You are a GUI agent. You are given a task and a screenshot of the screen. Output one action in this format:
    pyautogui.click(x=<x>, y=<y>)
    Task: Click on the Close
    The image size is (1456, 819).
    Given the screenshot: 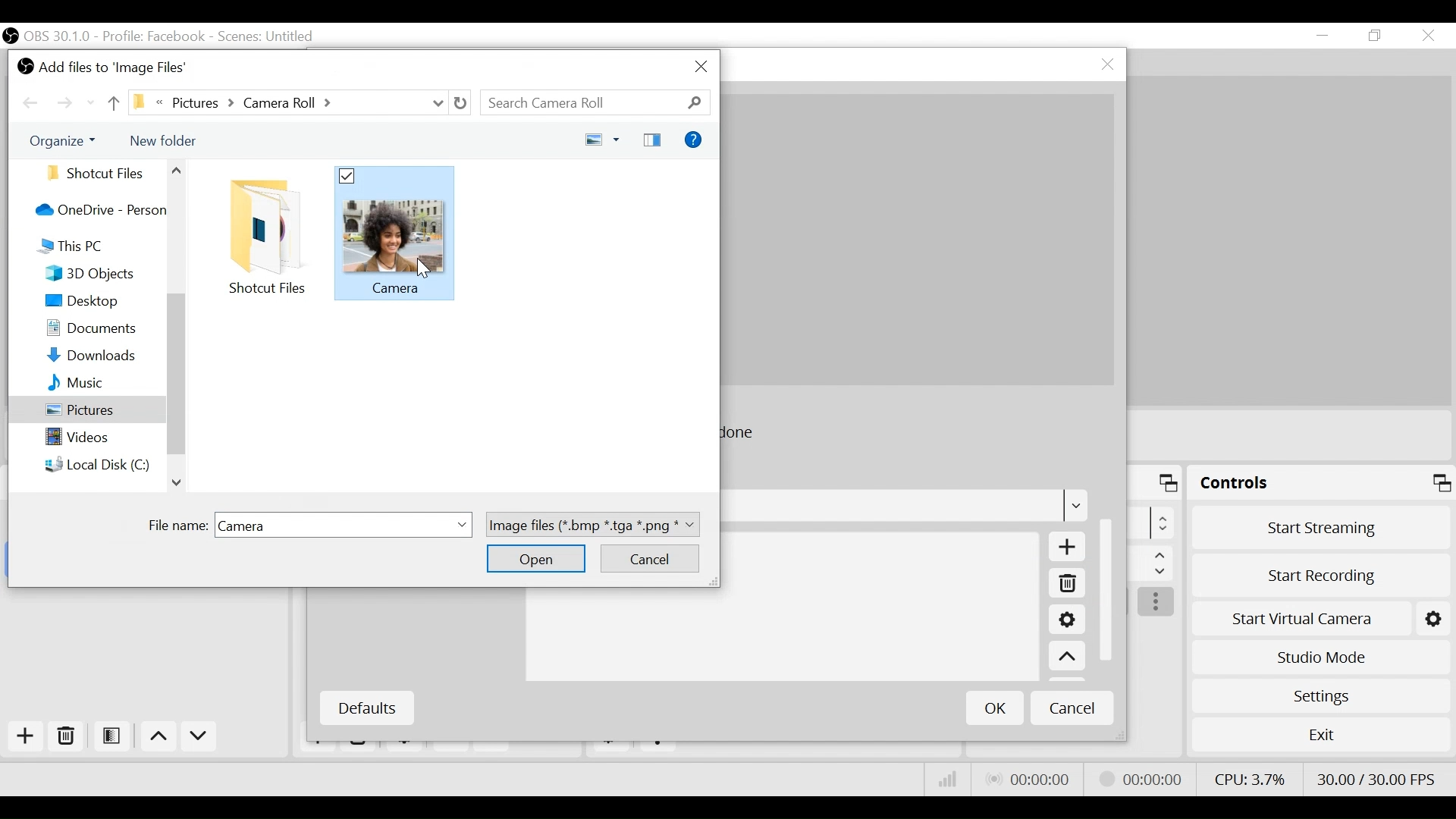 What is the action you would take?
    pyautogui.click(x=699, y=65)
    